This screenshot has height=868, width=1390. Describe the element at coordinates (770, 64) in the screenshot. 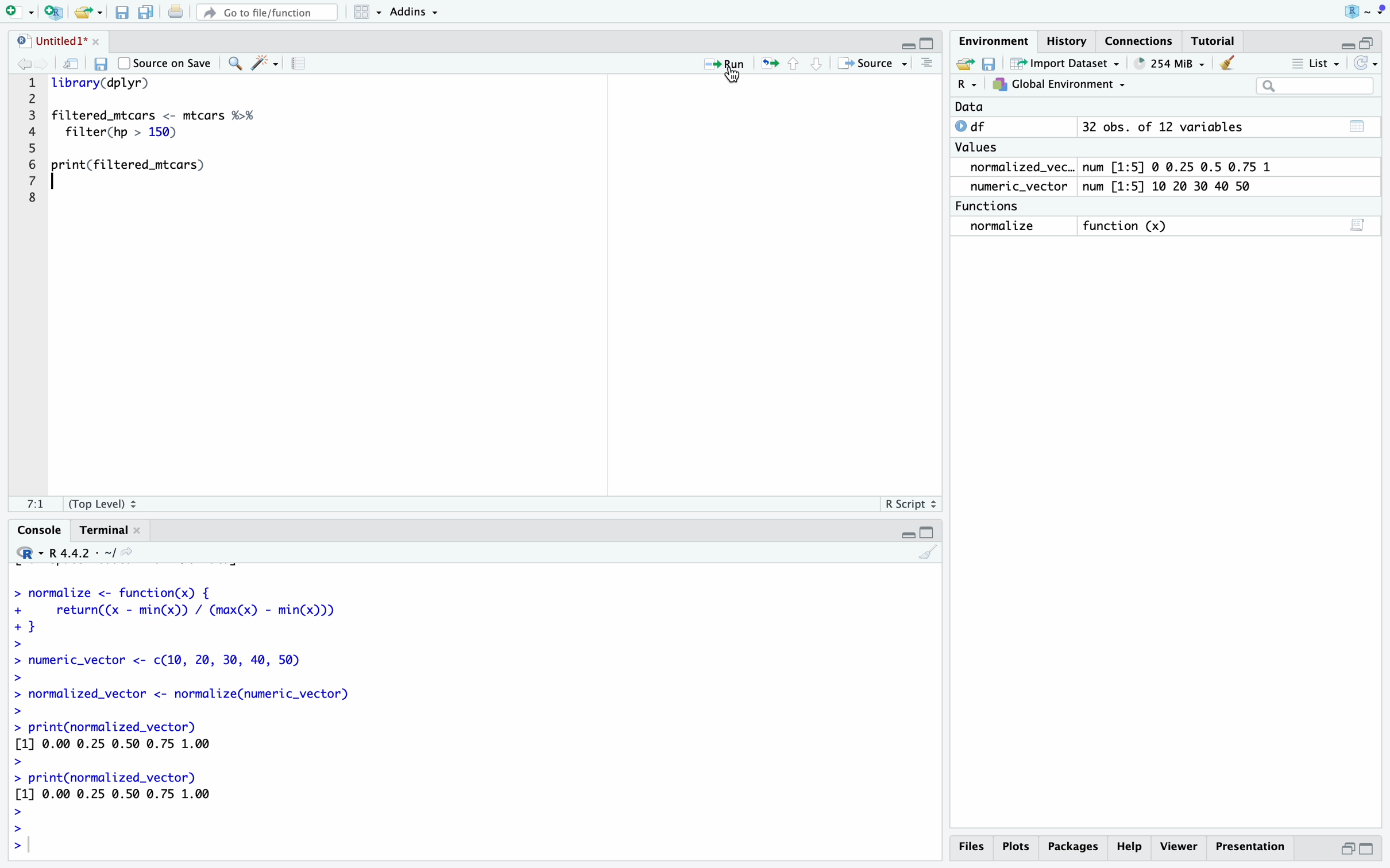

I see `re-run the previous section` at that location.